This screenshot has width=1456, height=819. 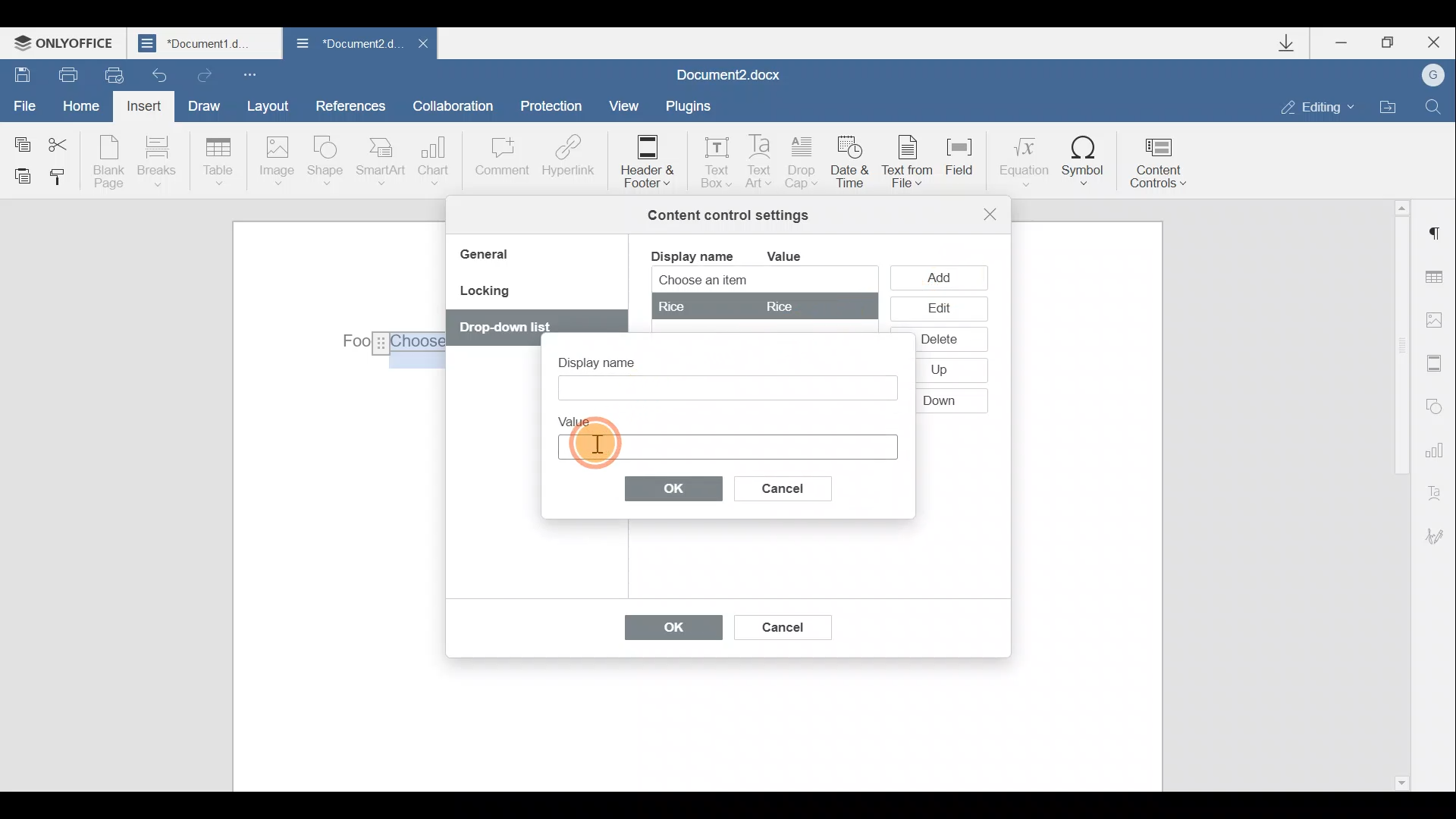 What do you see at coordinates (1435, 404) in the screenshot?
I see `Shapes settings` at bounding box center [1435, 404].